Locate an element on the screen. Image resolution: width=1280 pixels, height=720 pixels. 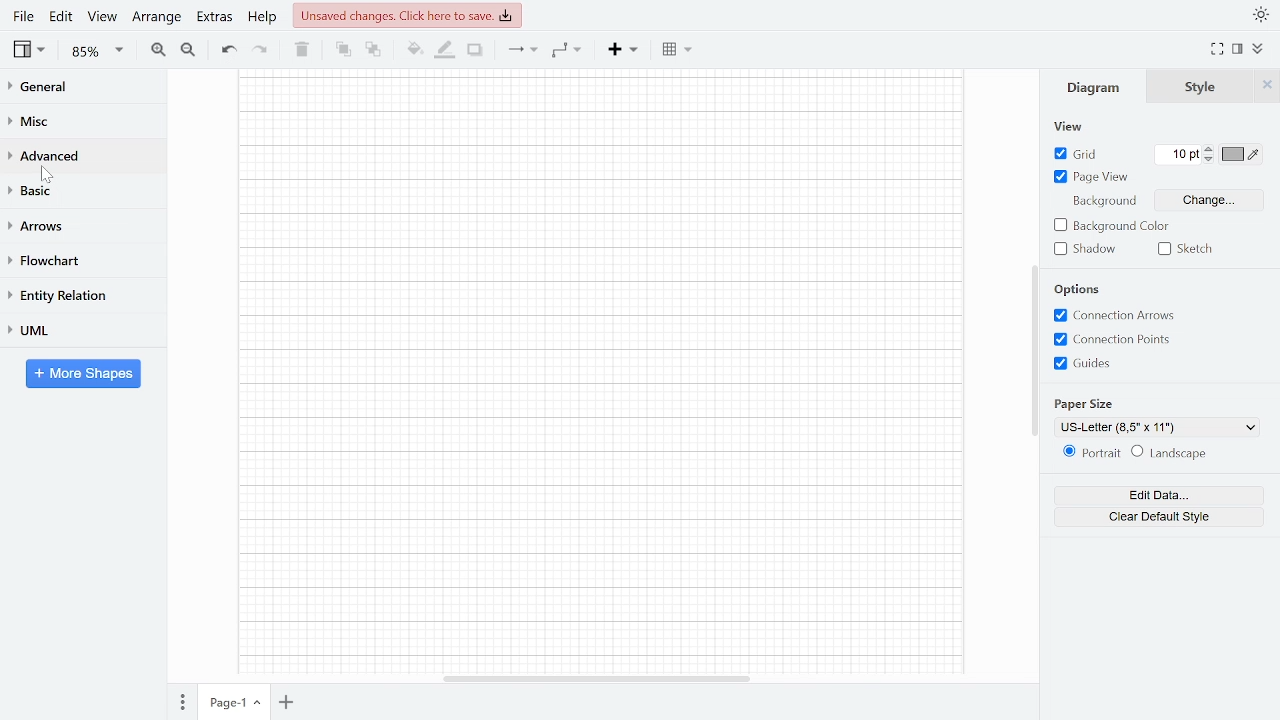
Background is located at coordinates (1106, 201).